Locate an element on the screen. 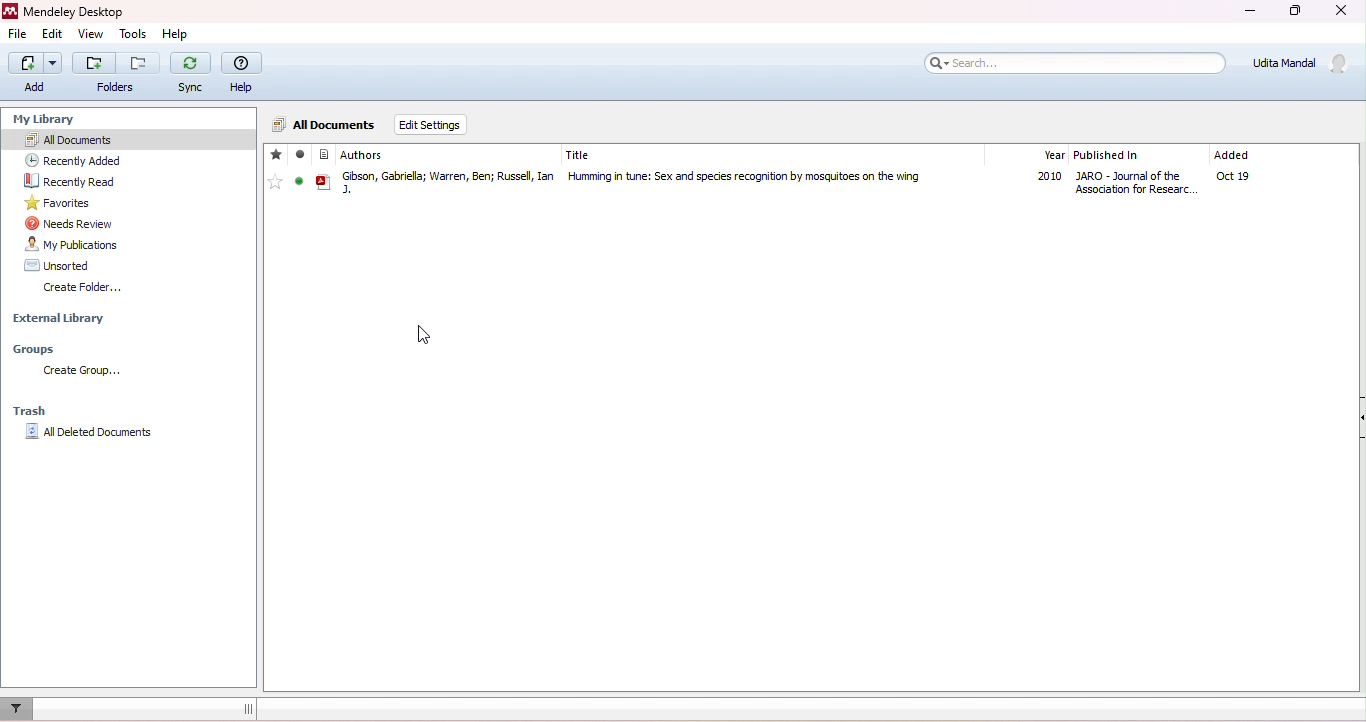 The image size is (1366, 722). edit is located at coordinates (18, 35).